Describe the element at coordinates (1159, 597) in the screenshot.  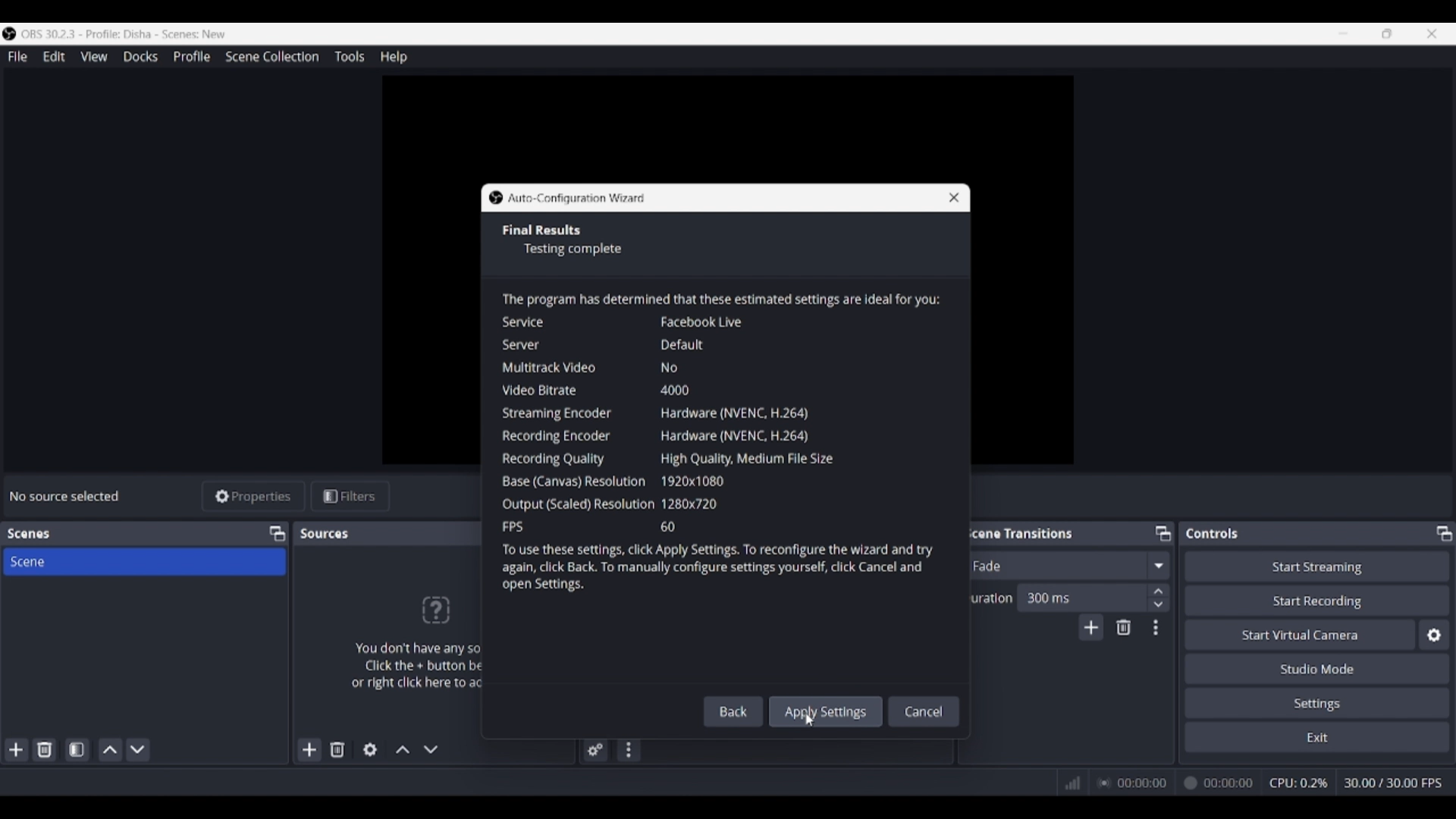
I see `Increase/Decrease duration` at that location.